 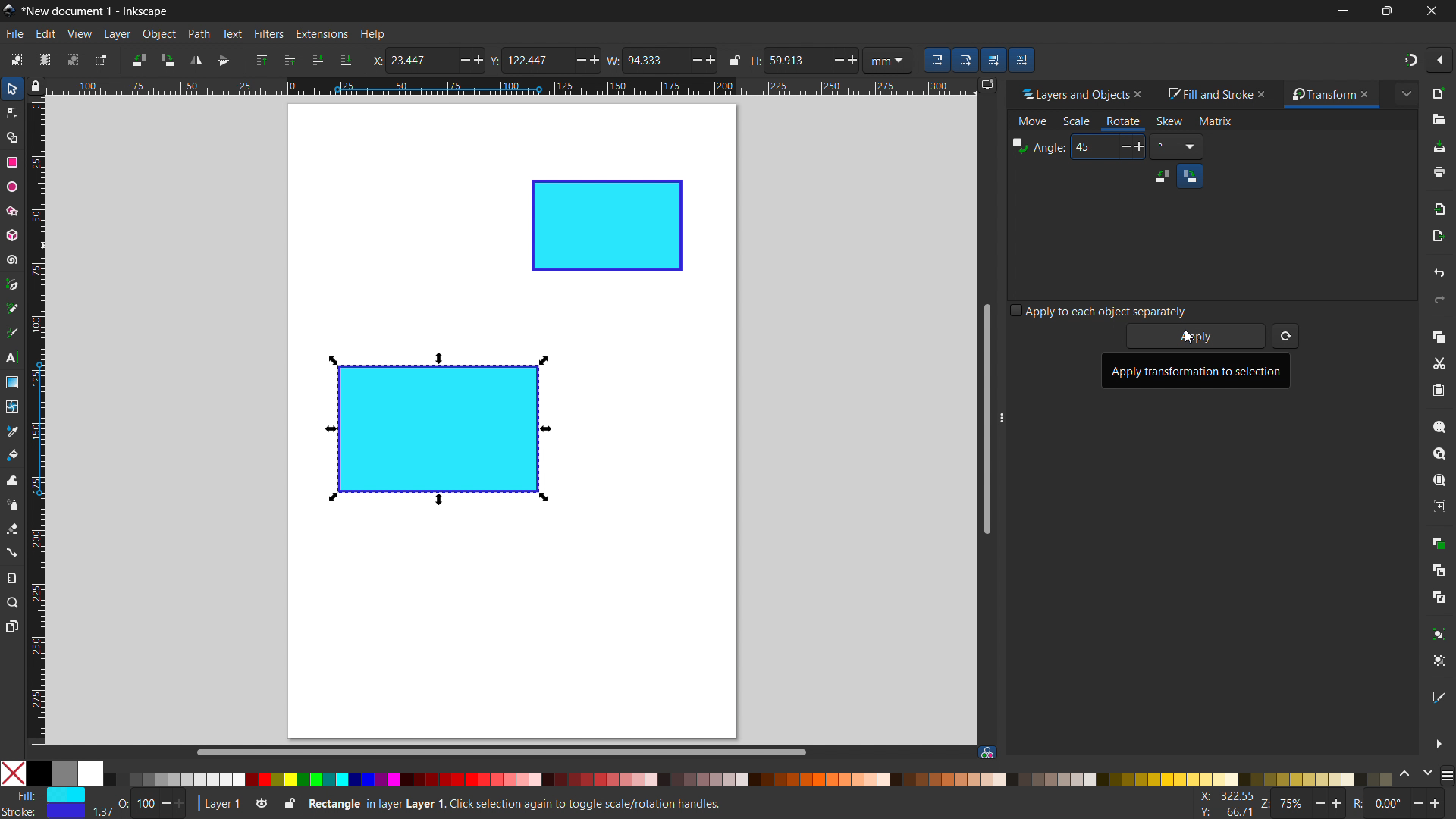 What do you see at coordinates (11, 259) in the screenshot?
I see `spiral tool` at bounding box center [11, 259].